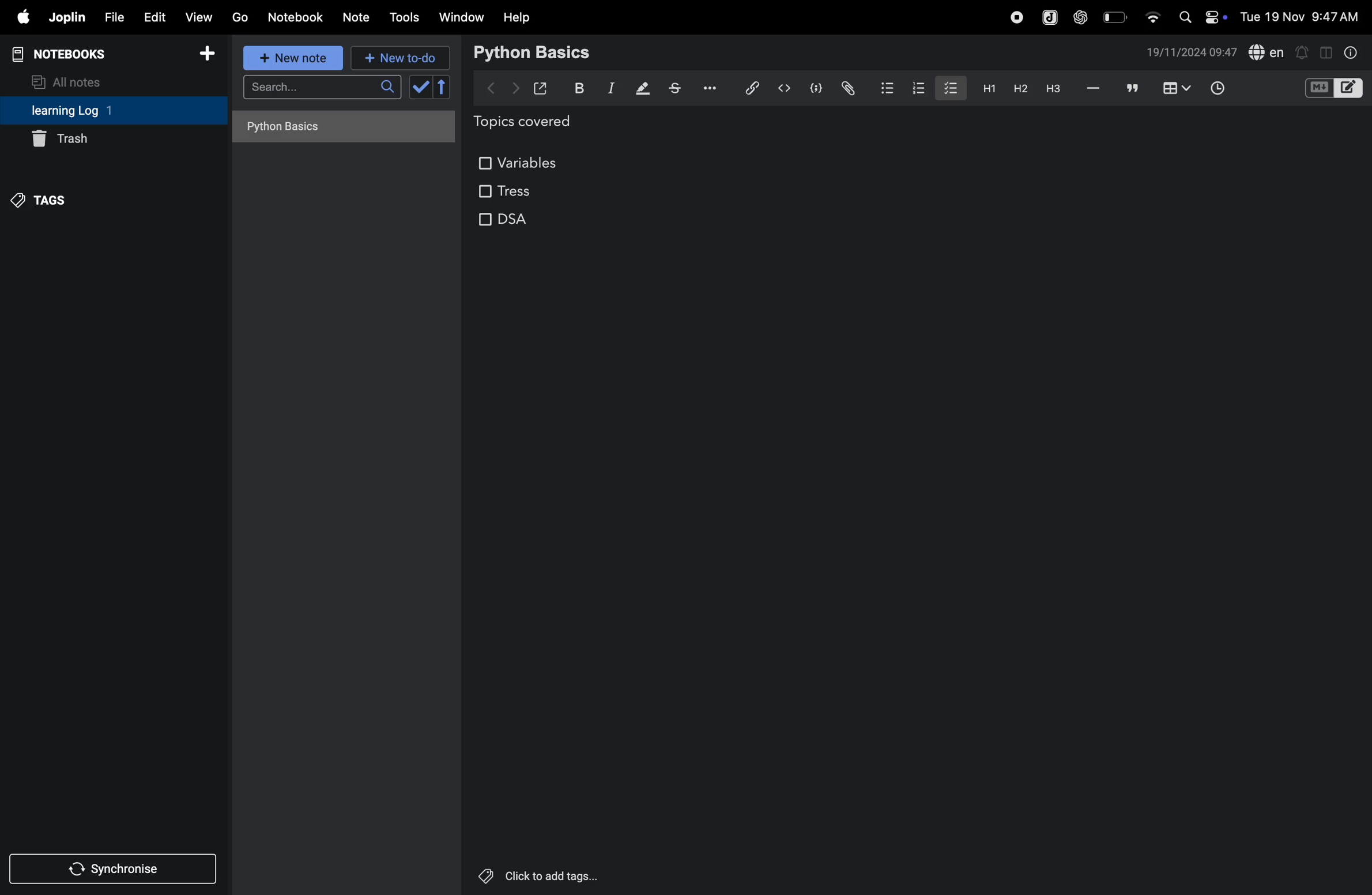 The height and width of the screenshot is (895, 1372). I want to click on all notes, so click(73, 81).